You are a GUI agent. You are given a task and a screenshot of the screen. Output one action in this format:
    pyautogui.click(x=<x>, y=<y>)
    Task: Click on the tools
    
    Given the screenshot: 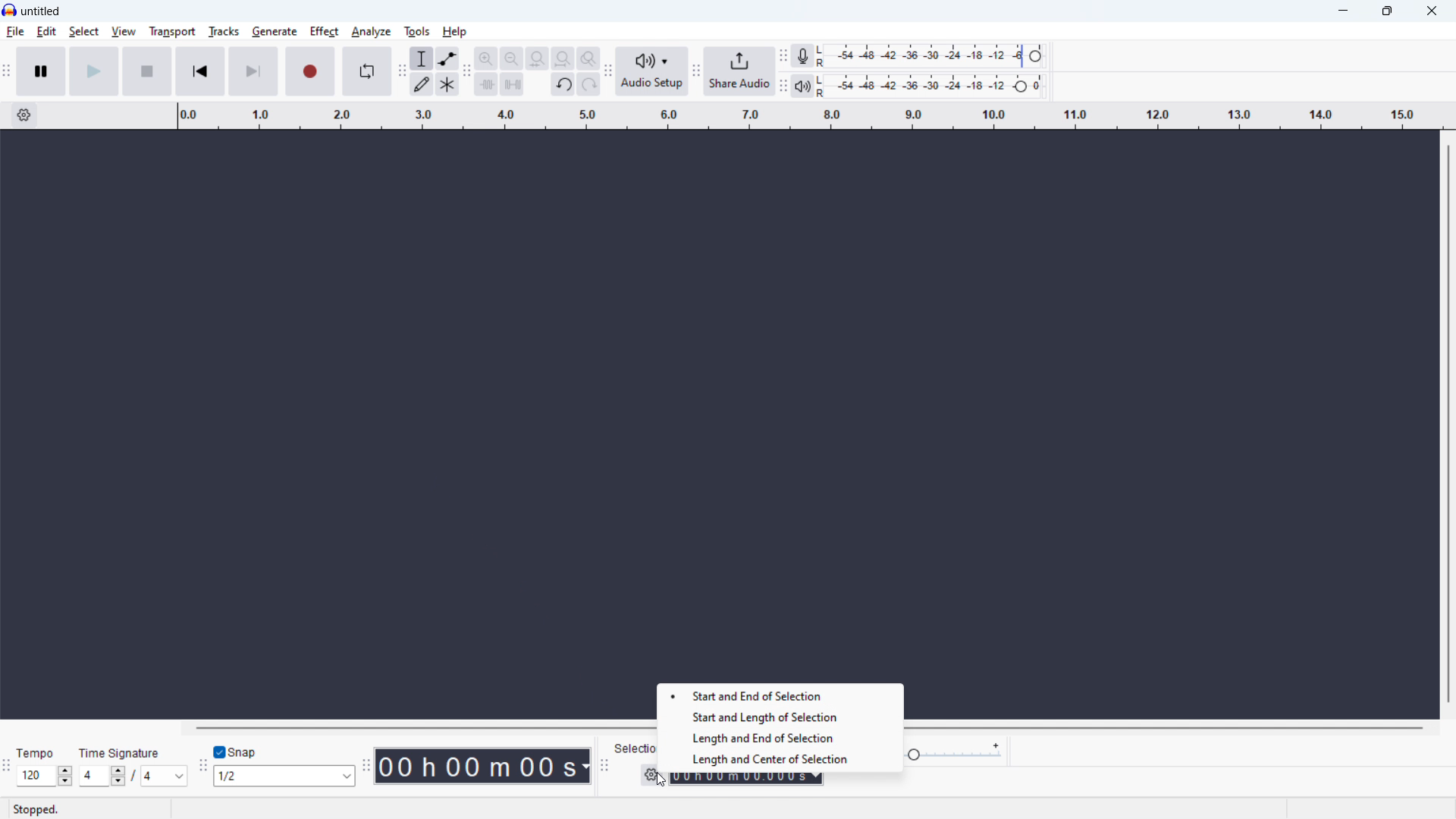 What is the action you would take?
    pyautogui.click(x=417, y=32)
    